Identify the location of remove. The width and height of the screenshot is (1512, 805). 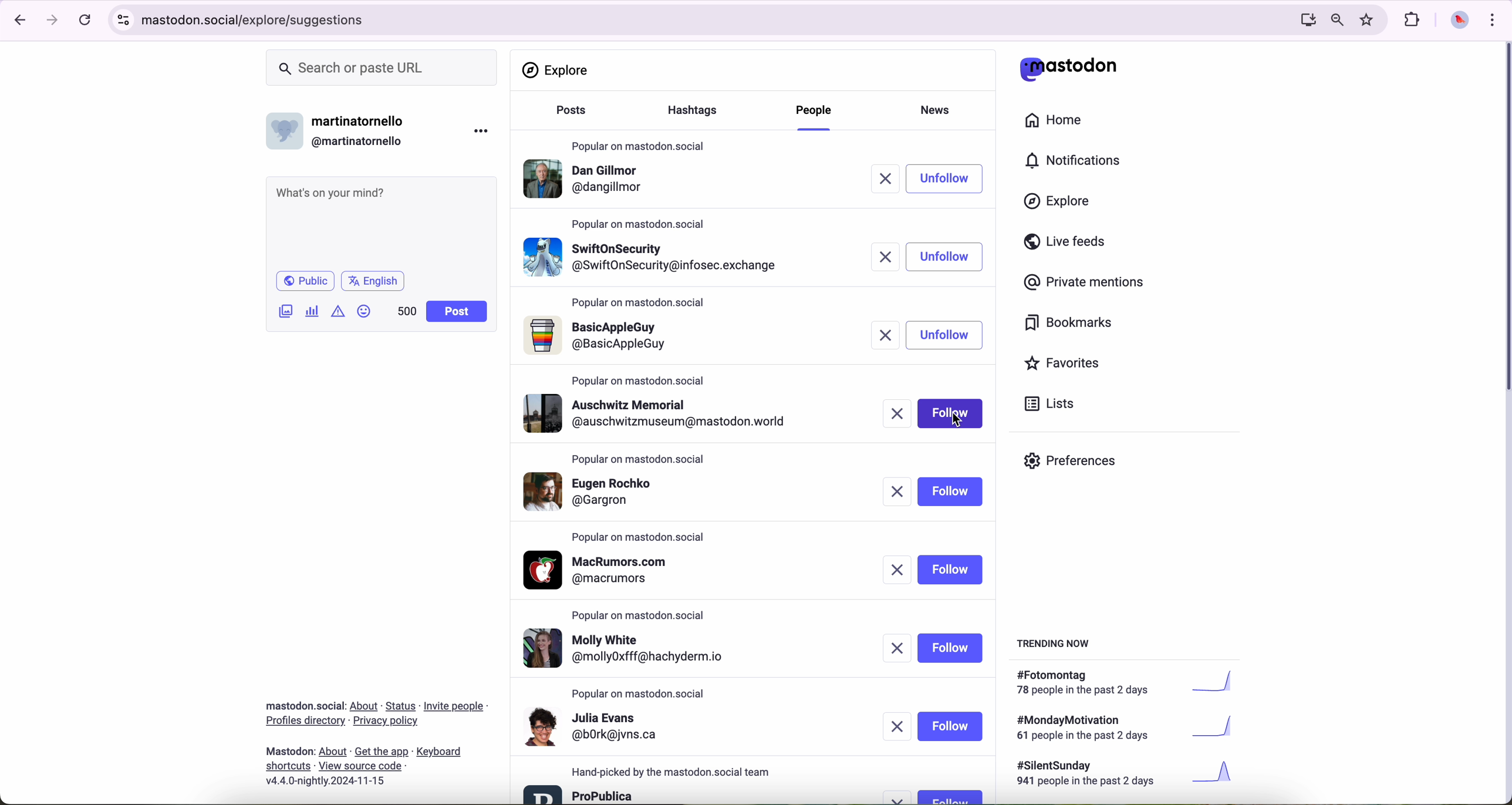
(897, 649).